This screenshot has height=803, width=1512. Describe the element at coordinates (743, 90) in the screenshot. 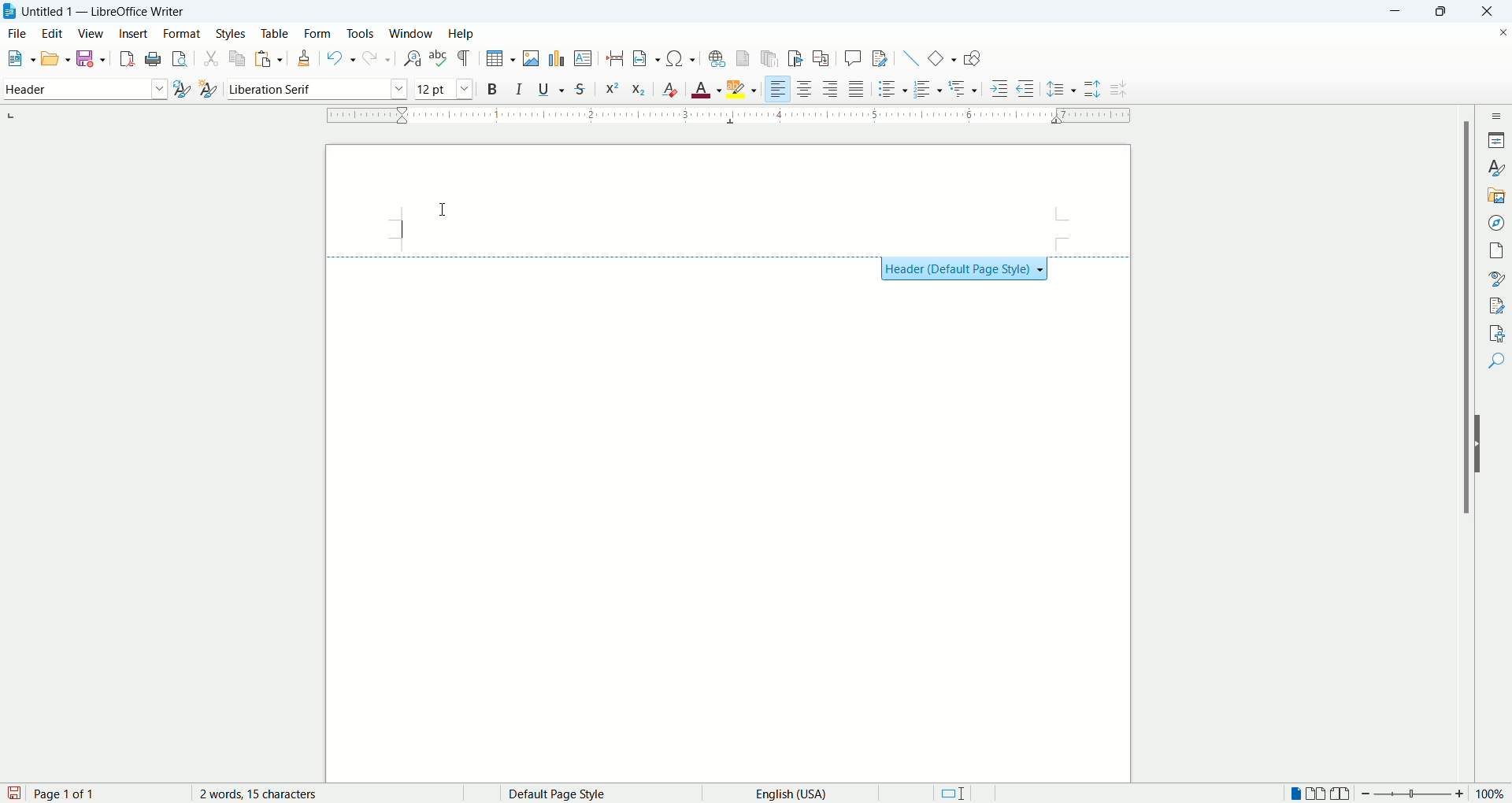

I see `text highlighting` at that location.